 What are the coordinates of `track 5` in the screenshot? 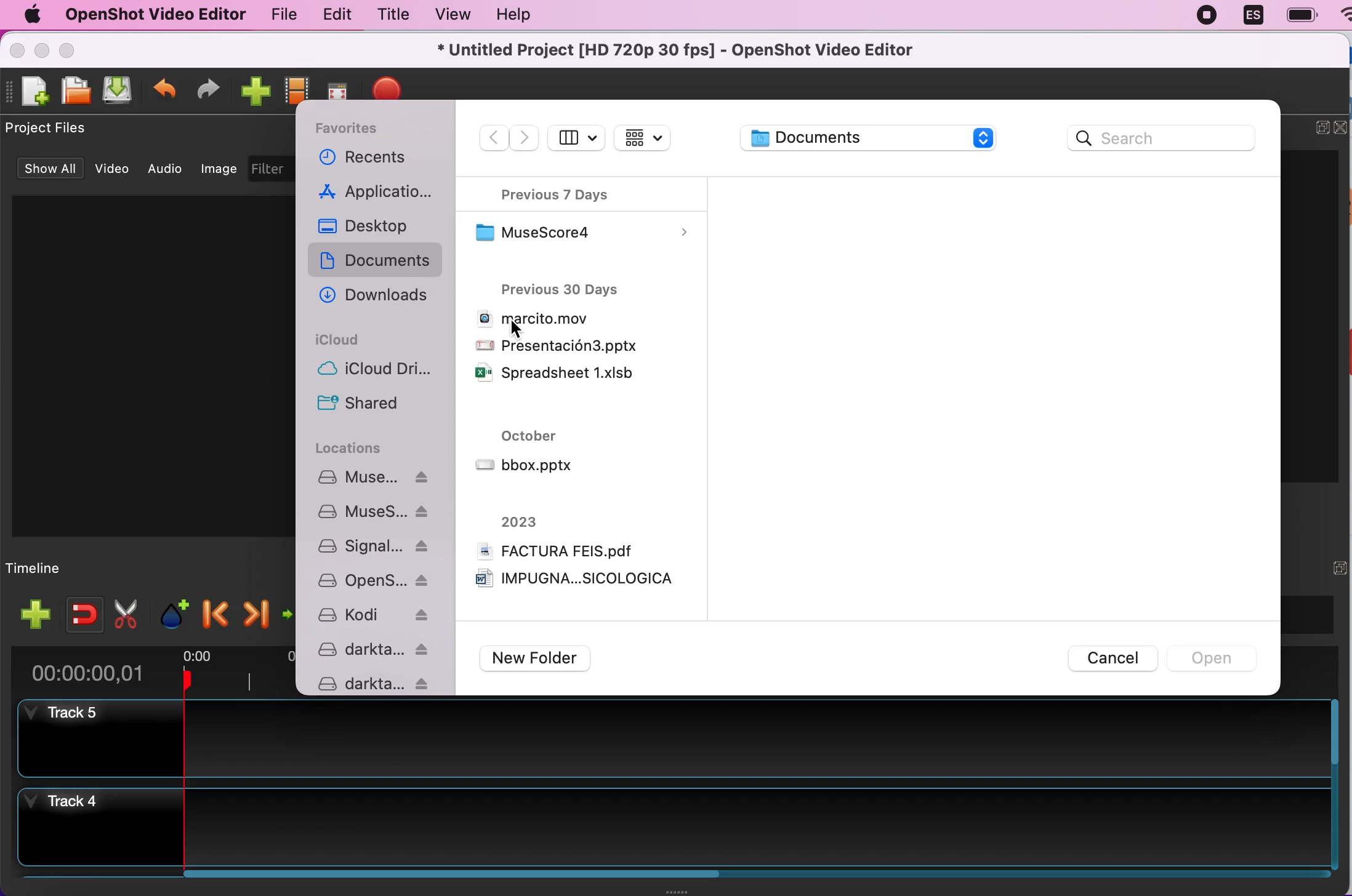 It's located at (677, 740).